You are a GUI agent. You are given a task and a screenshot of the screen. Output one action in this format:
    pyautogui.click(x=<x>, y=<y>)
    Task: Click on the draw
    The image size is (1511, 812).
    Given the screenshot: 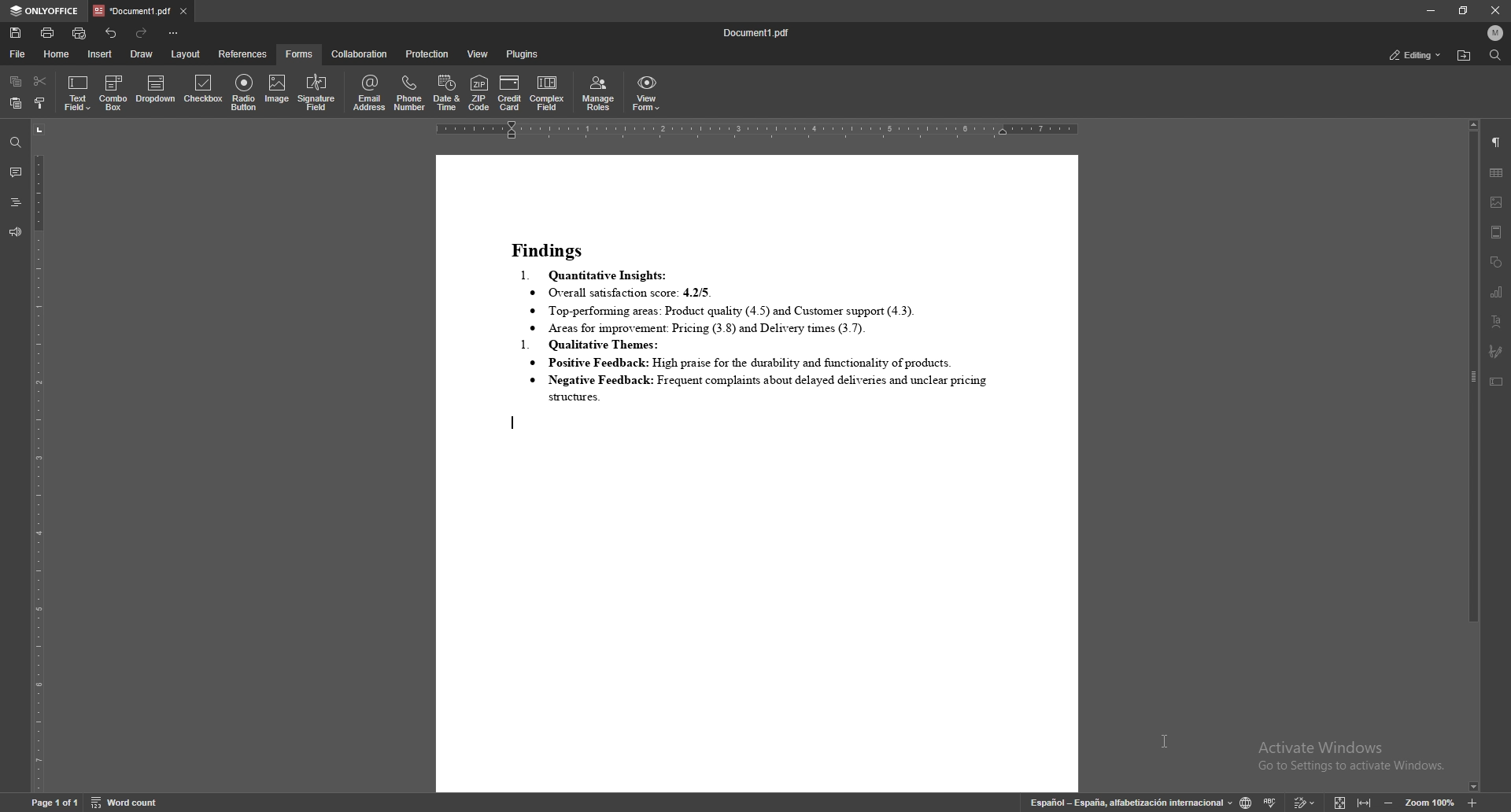 What is the action you would take?
    pyautogui.click(x=141, y=54)
    